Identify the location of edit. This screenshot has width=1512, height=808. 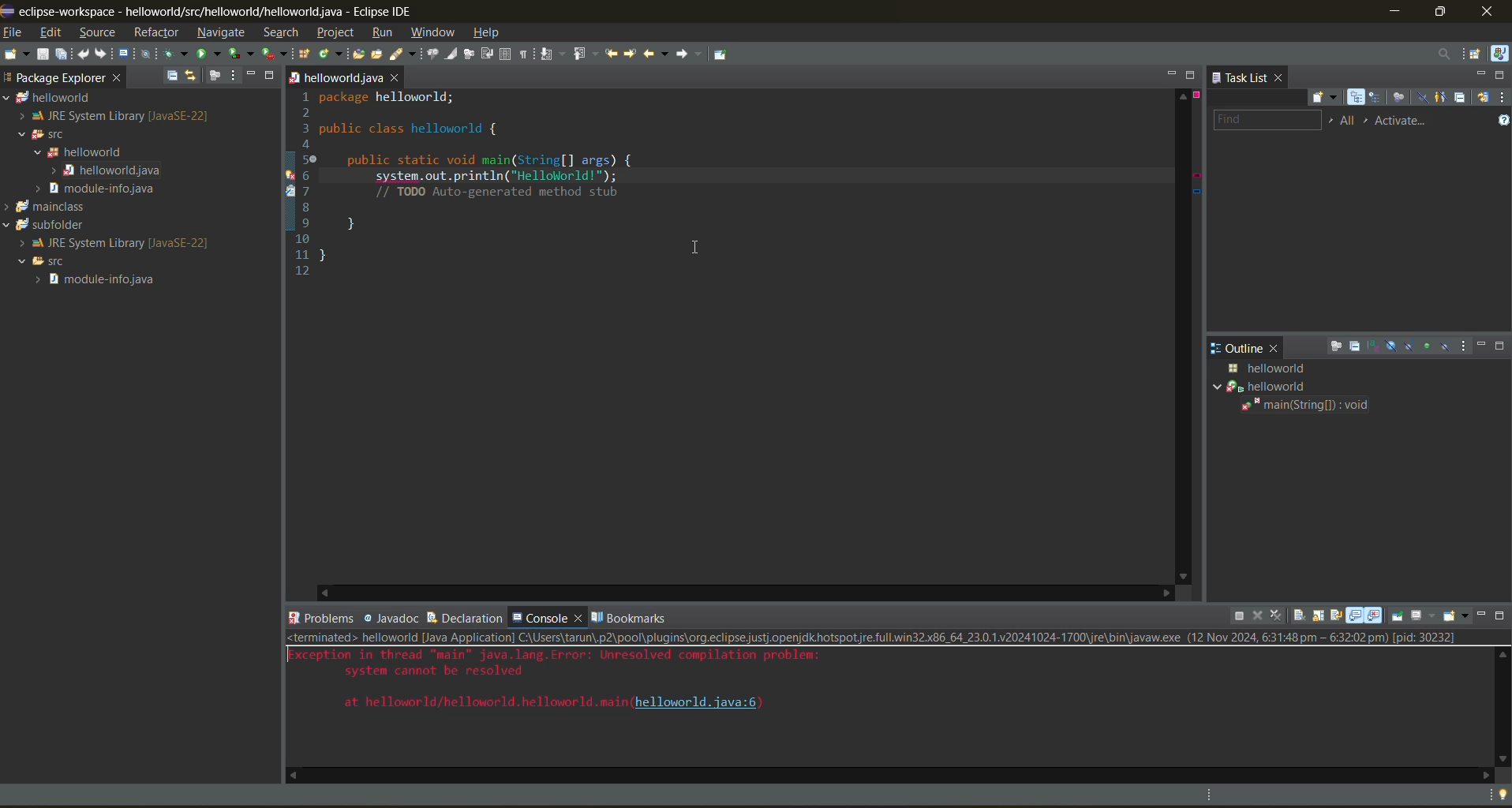
(52, 32).